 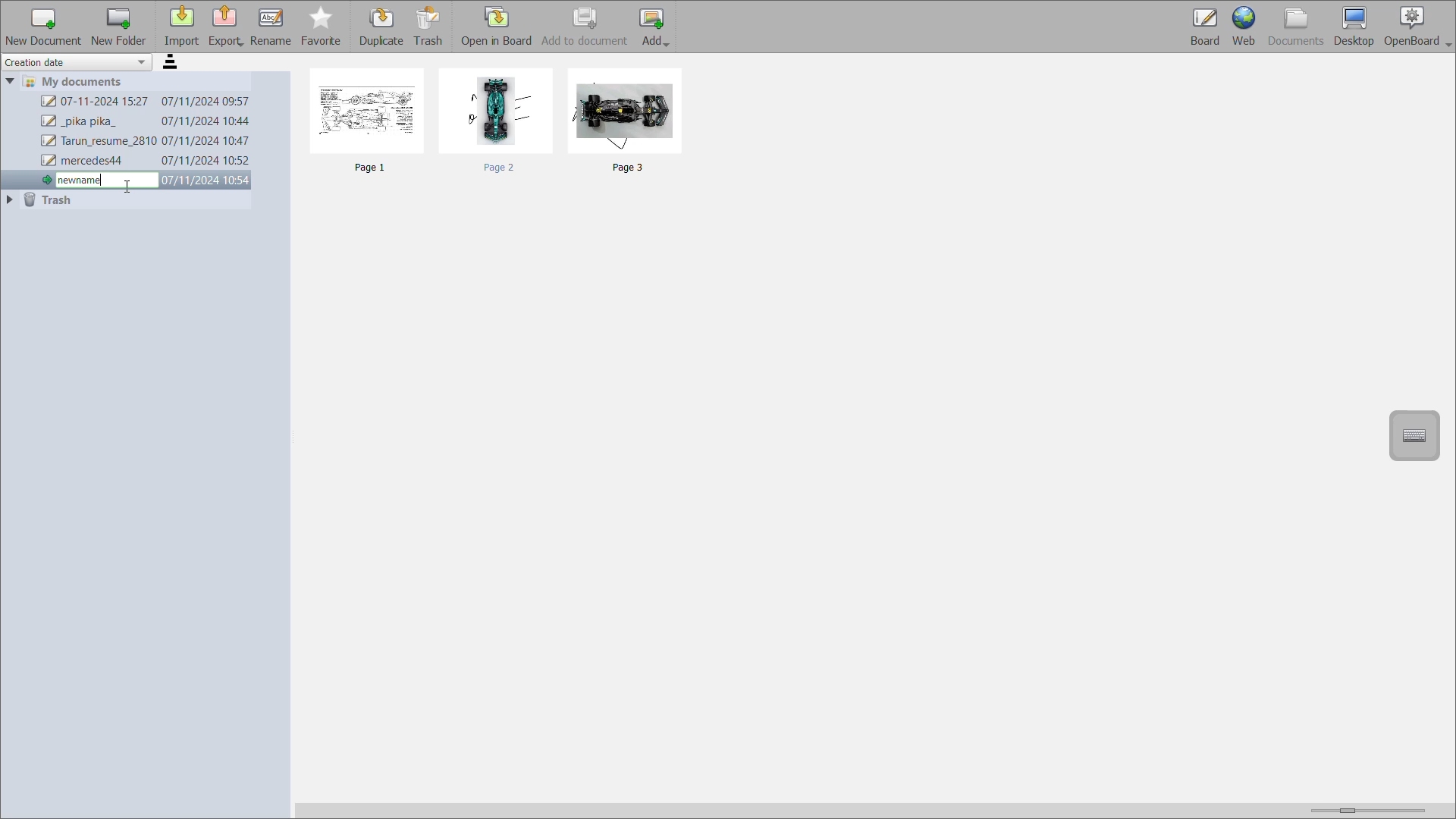 What do you see at coordinates (127, 187) in the screenshot?
I see `cursor` at bounding box center [127, 187].